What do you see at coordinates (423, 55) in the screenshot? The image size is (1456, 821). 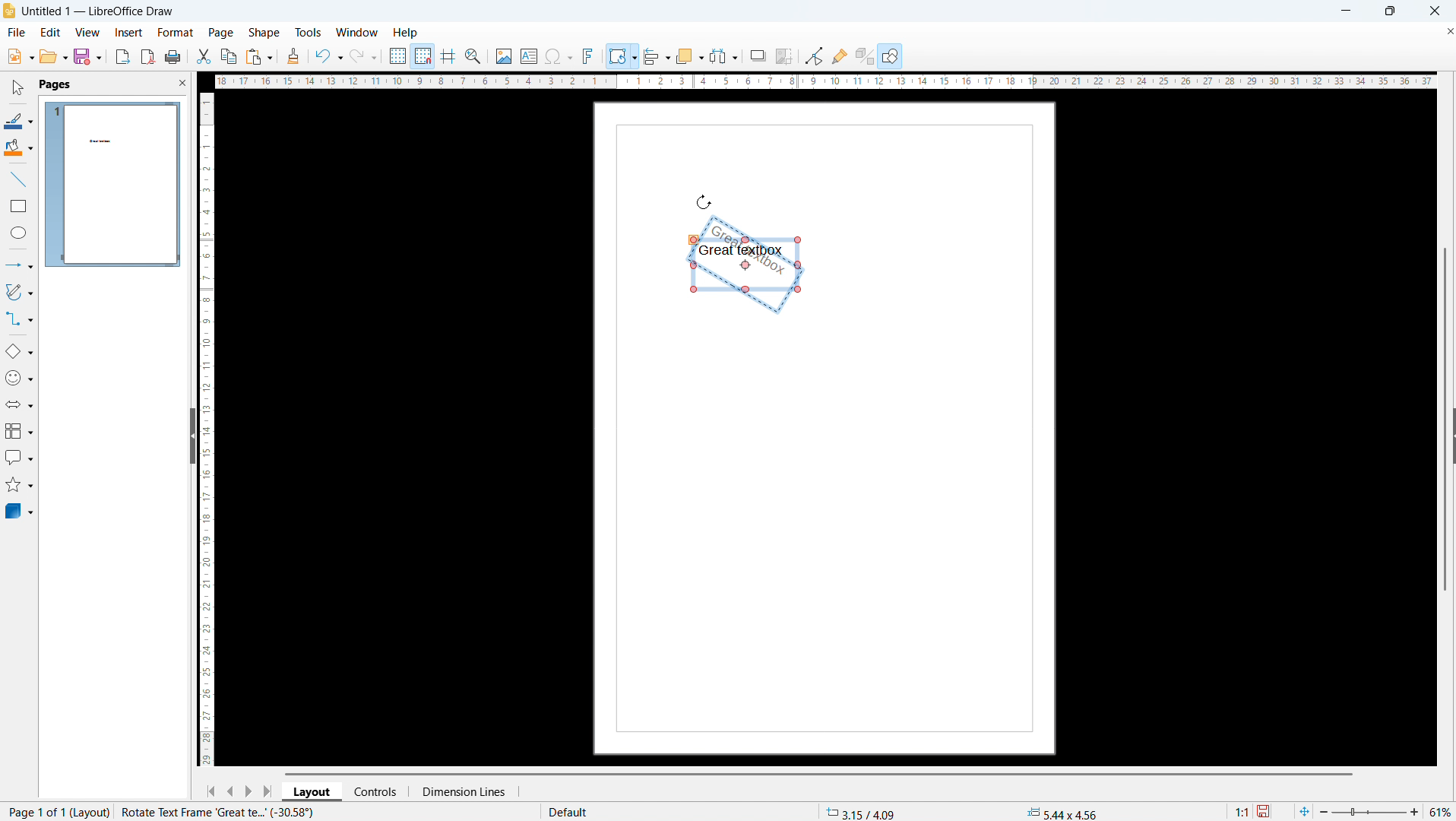 I see `snap to grid` at bounding box center [423, 55].